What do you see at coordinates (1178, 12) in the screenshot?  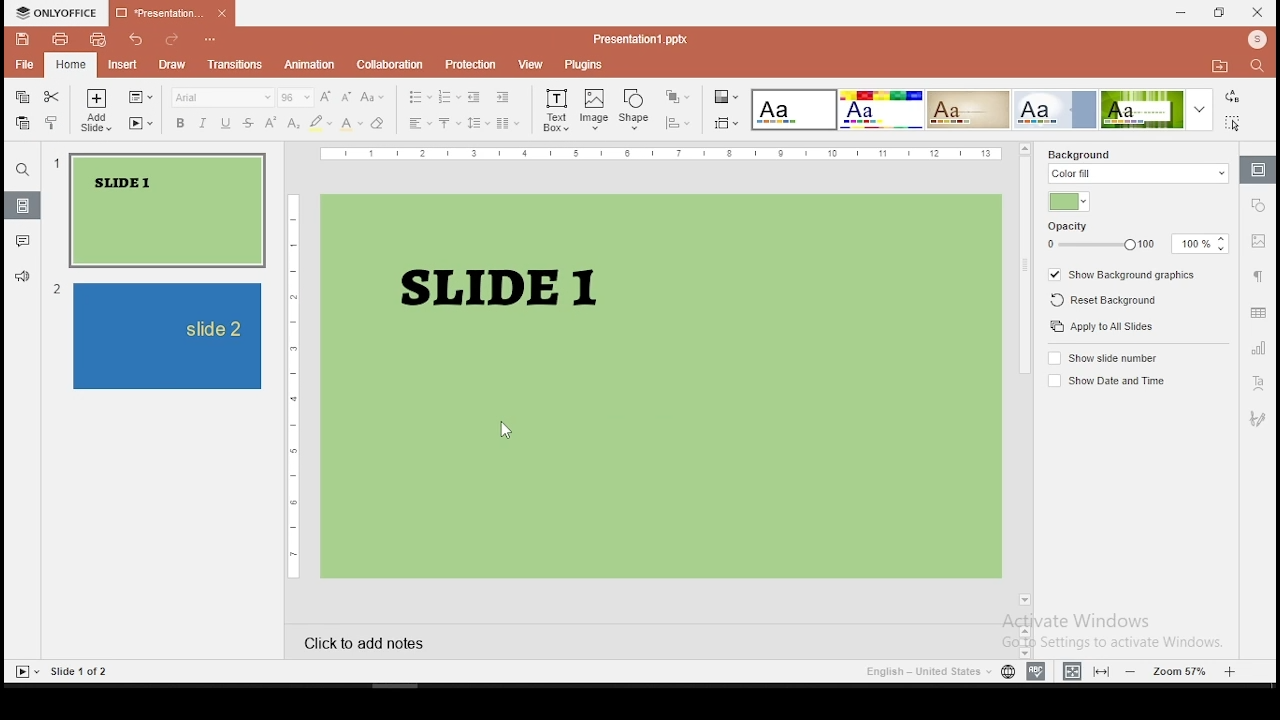 I see `minimize` at bounding box center [1178, 12].